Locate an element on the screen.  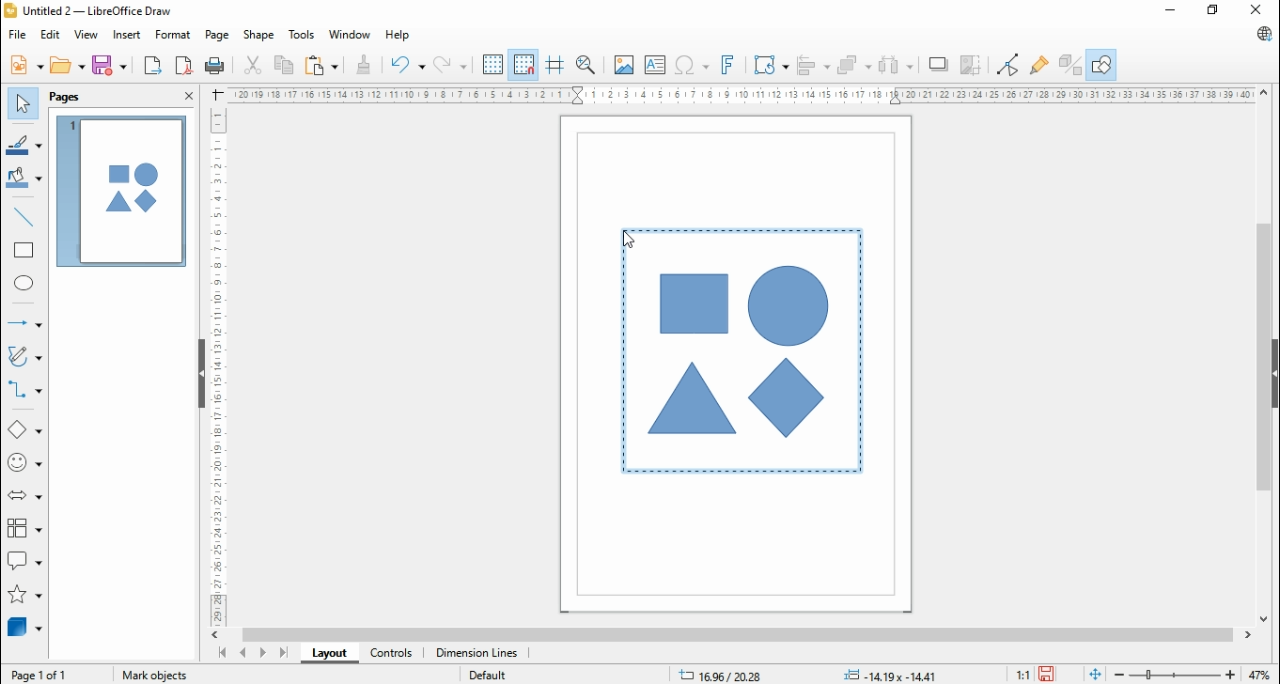
show grid is located at coordinates (493, 64).